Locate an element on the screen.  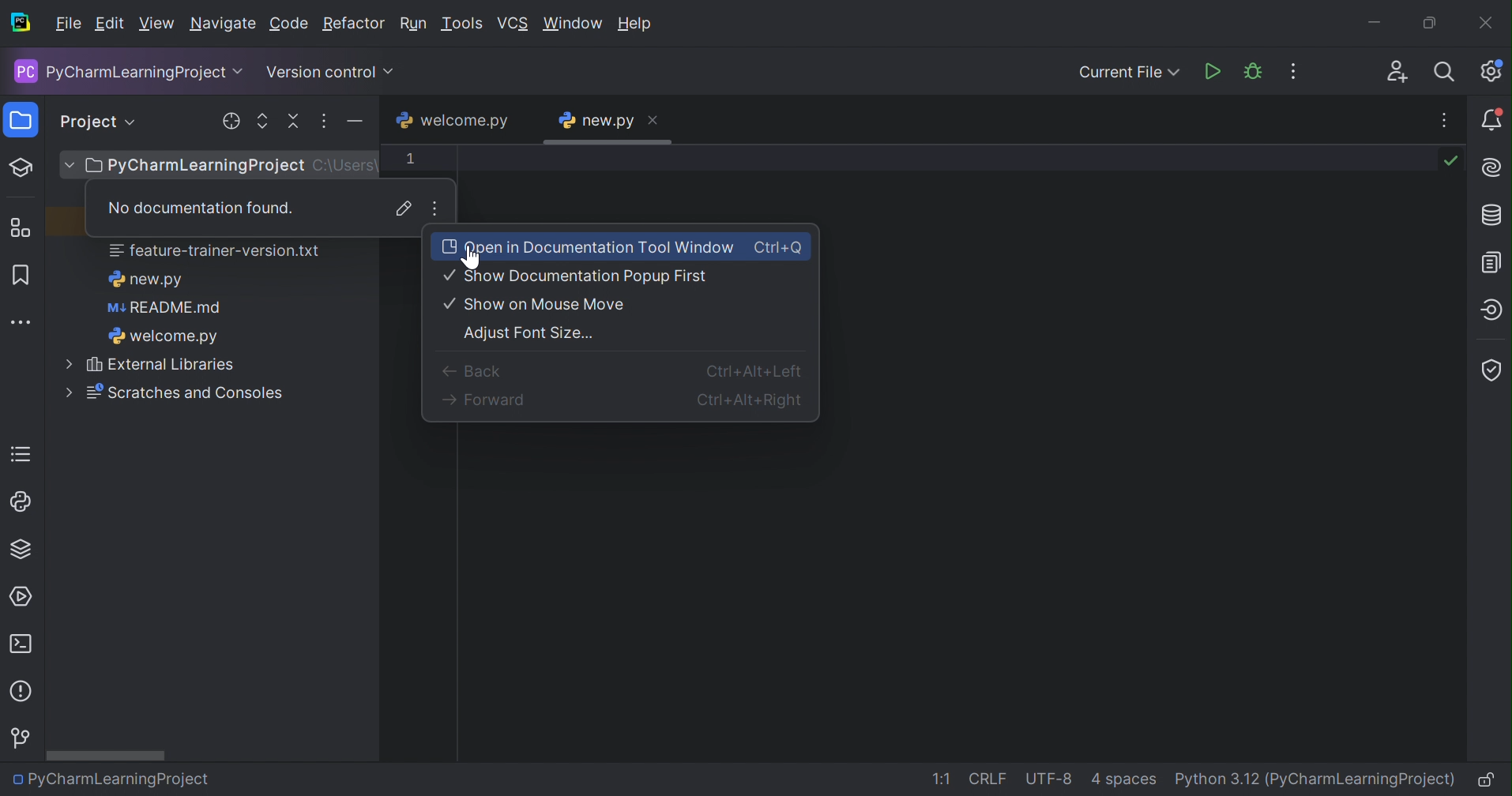
No documentation found. is located at coordinates (197, 207).